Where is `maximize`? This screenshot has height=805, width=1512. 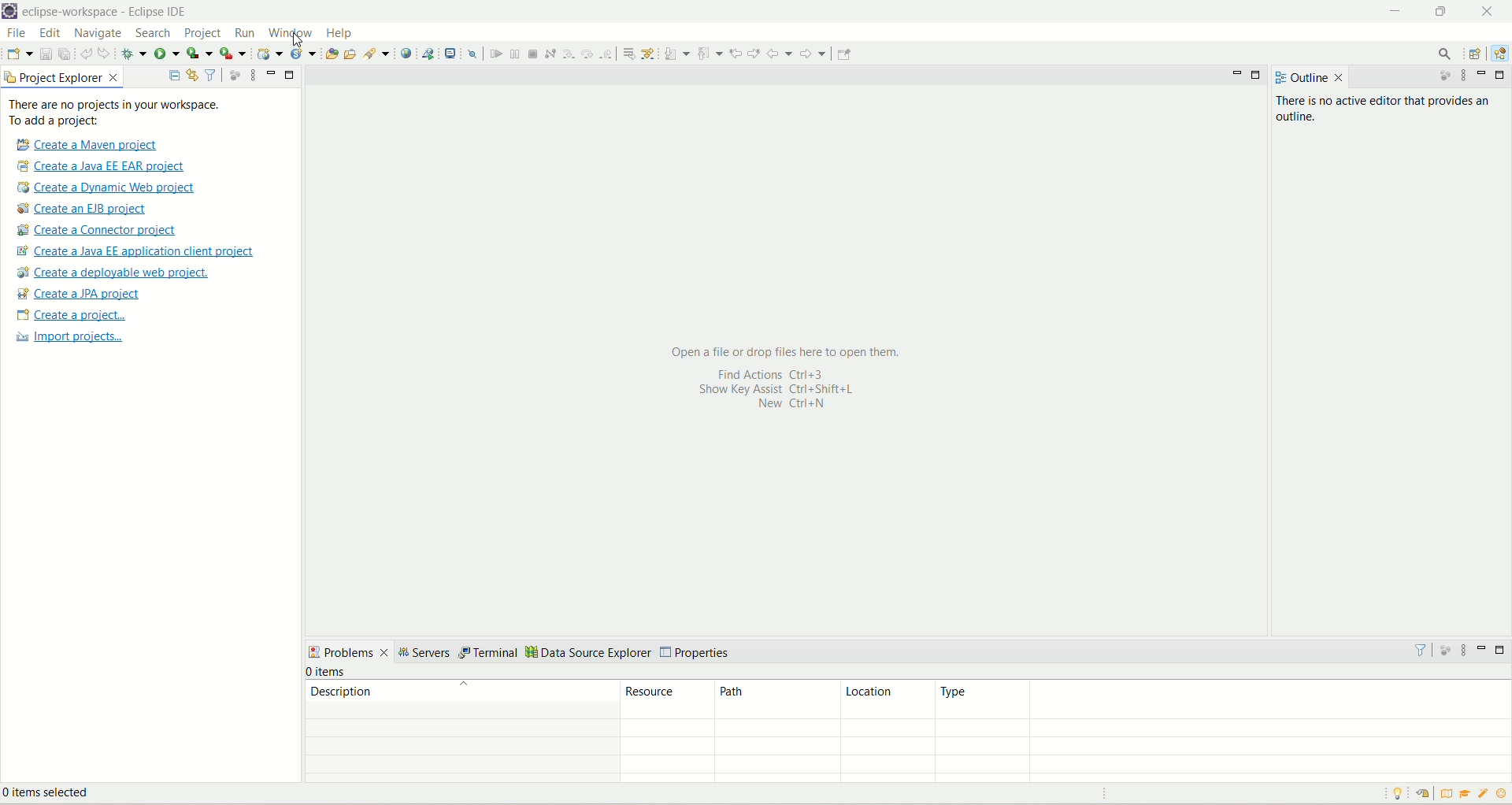
maximize is located at coordinates (1259, 76).